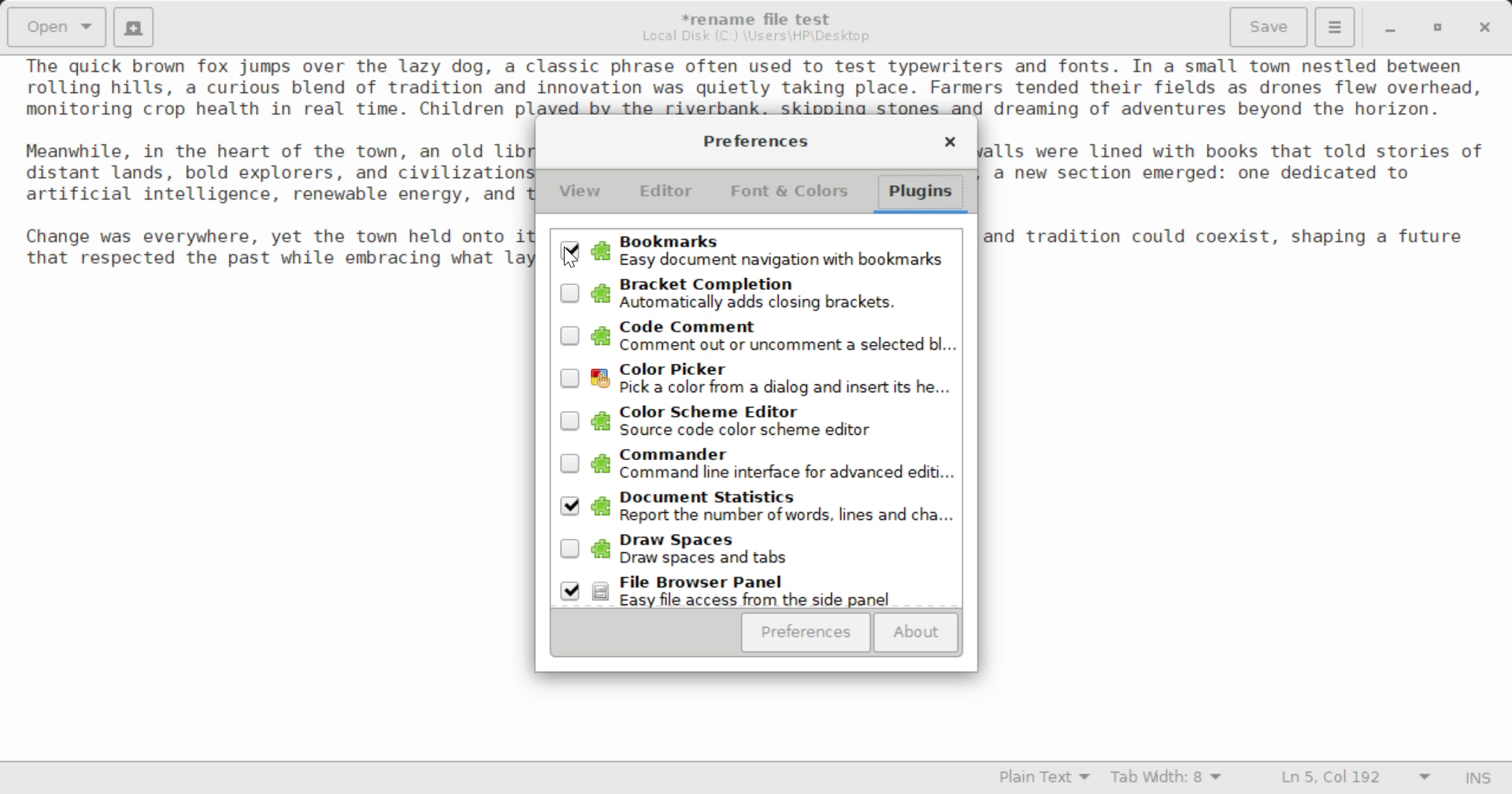 This screenshot has width=1512, height=794. Describe the element at coordinates (57, 25) in the screenshot. I see `Open Document` at that location.